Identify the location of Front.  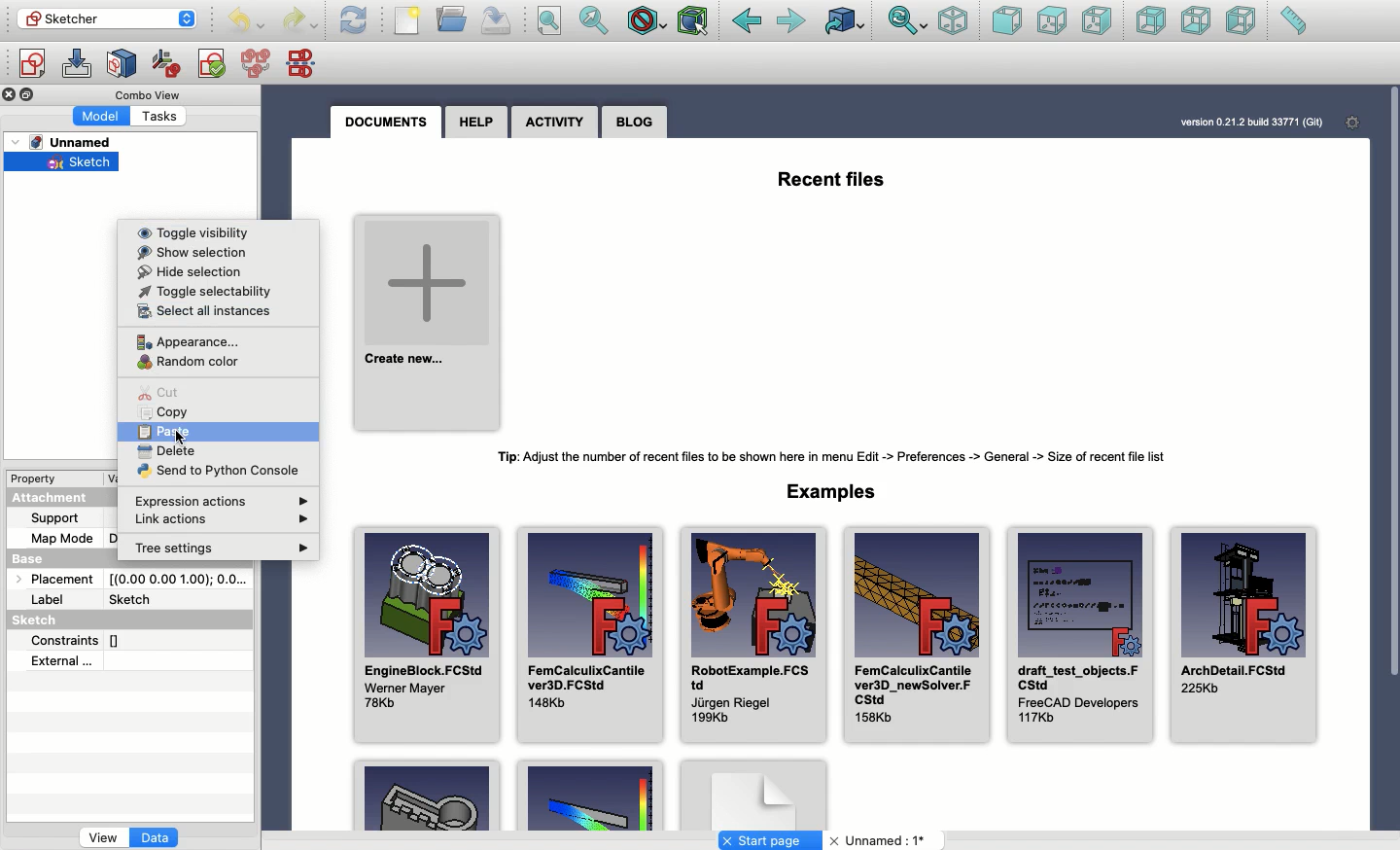
(1007, 22).